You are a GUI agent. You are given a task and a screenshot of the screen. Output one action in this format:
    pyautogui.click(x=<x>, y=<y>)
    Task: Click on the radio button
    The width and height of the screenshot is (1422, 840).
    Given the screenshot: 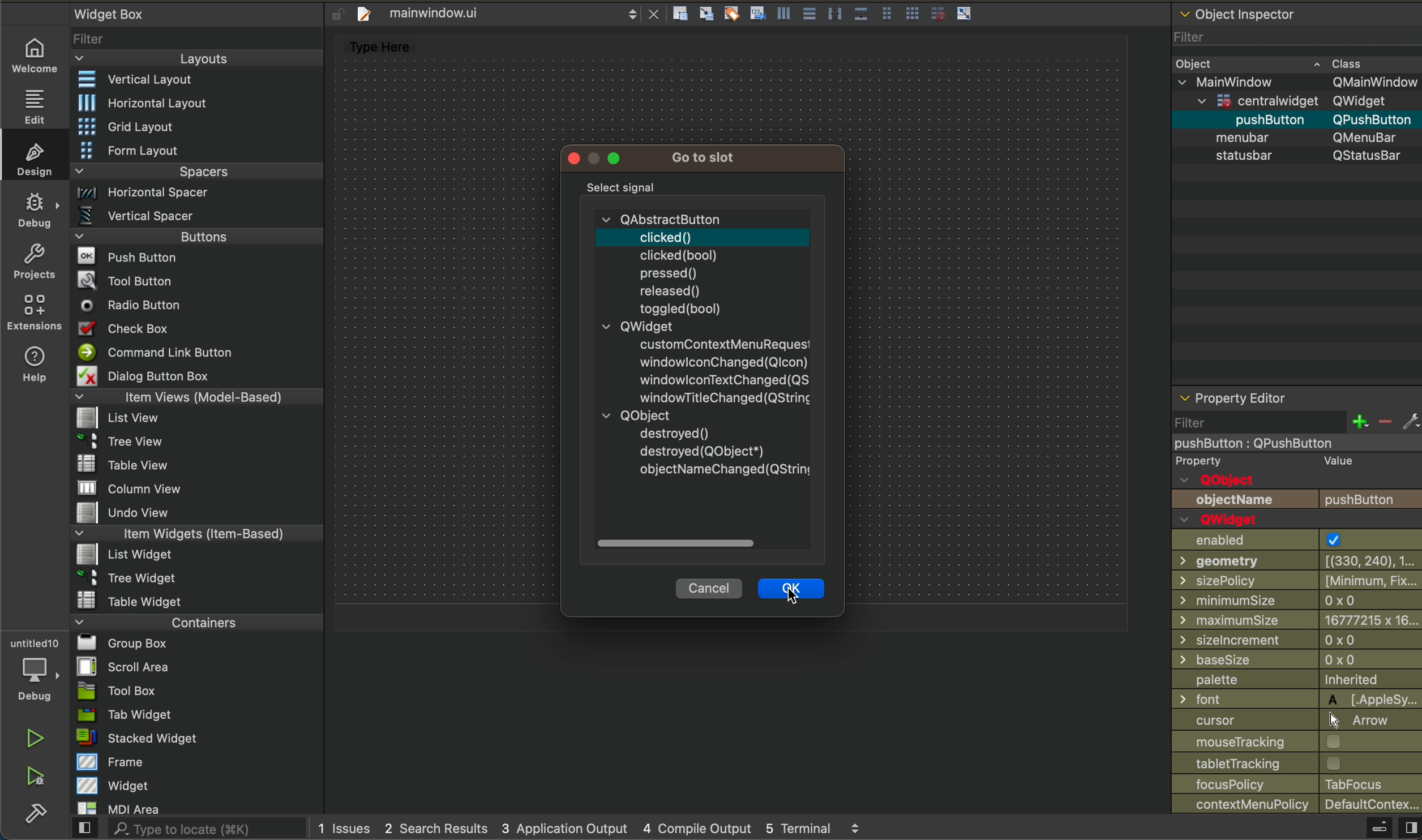 What is the action you would take?
    pyautogui.click(x=196, y=307)
    